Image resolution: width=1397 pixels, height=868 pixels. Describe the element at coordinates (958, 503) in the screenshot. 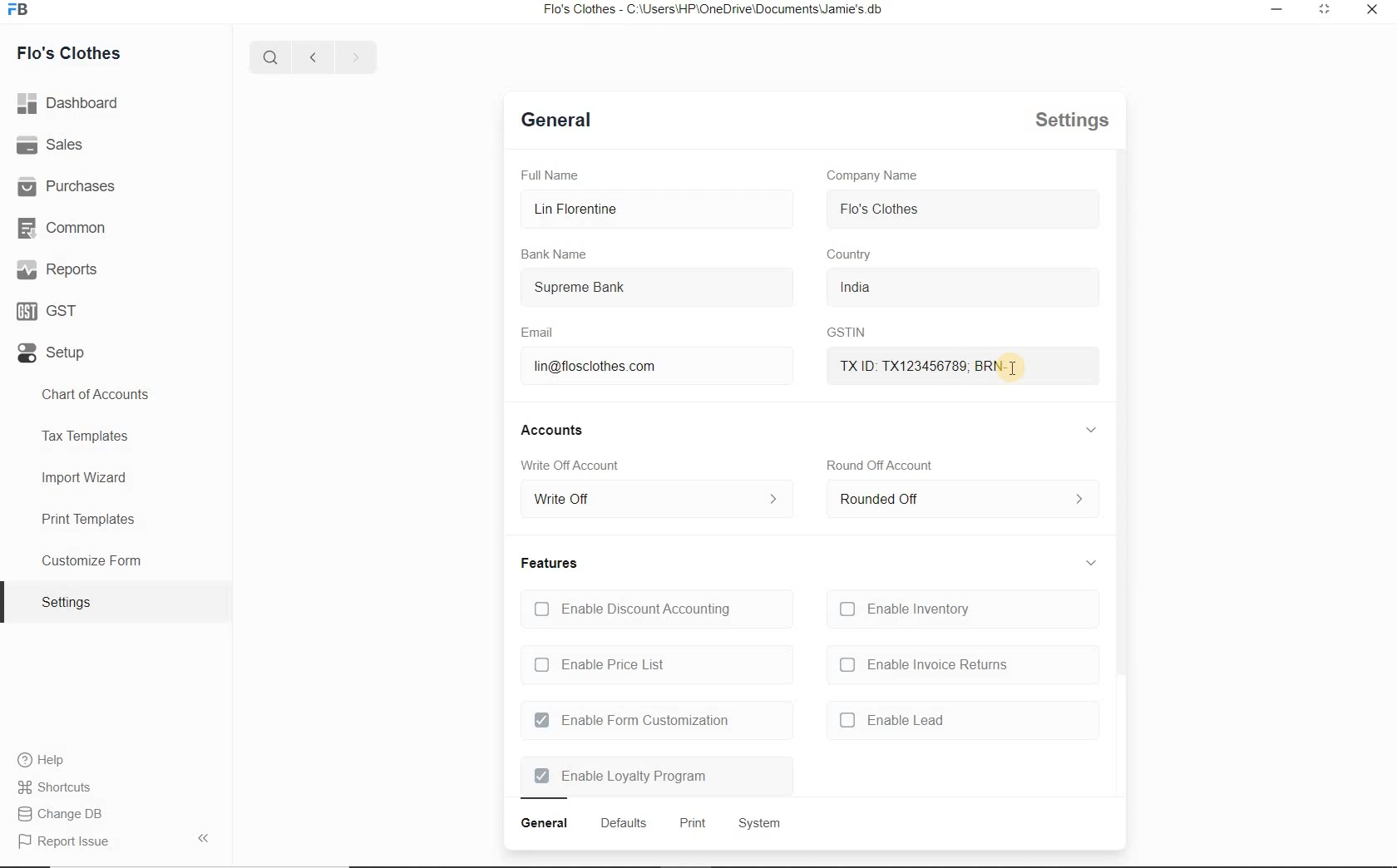

I see `rounded off` at that location.